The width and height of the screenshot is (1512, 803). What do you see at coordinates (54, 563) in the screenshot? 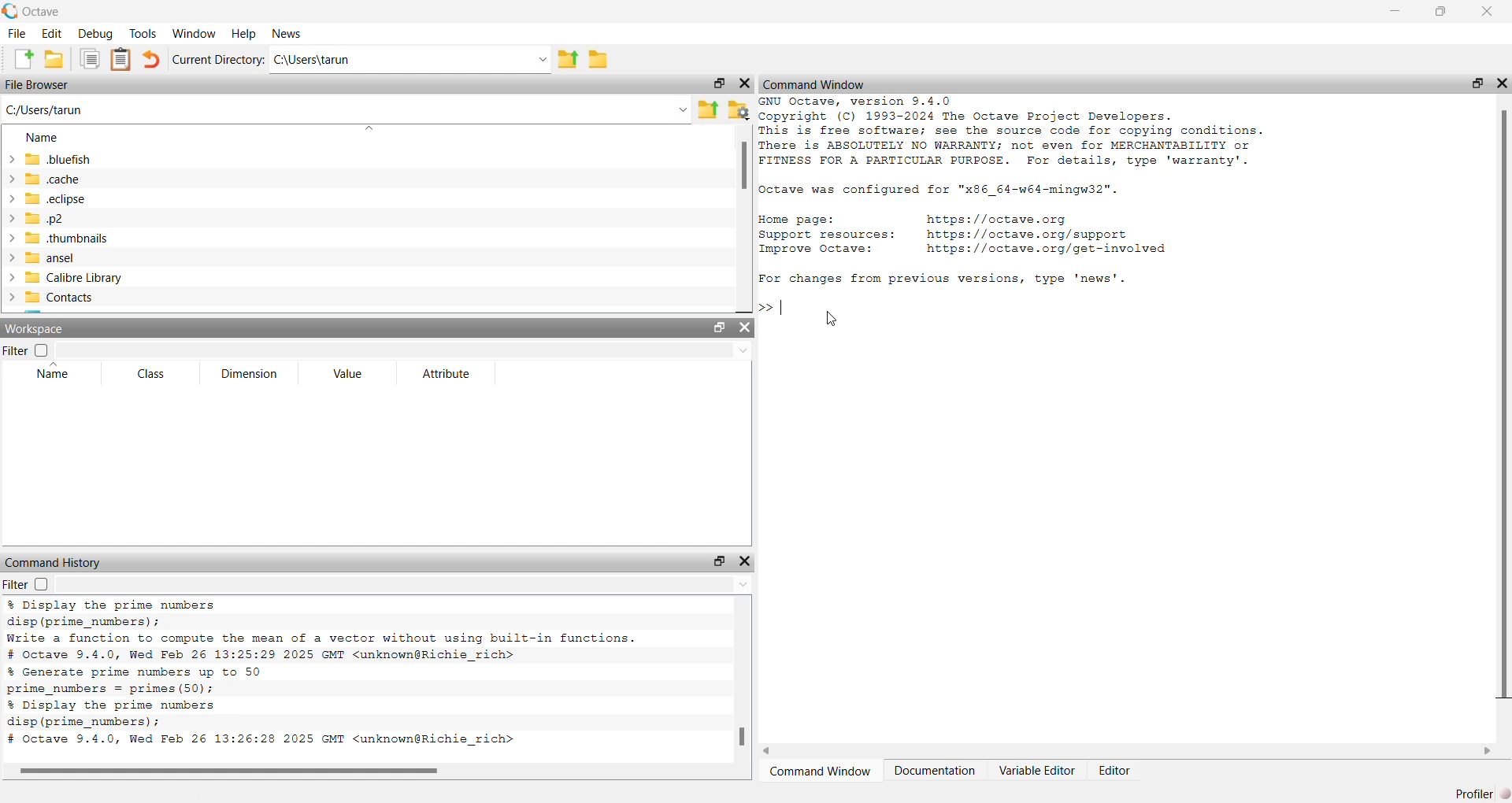
I see `Command History` at bounding box center [54, 563].